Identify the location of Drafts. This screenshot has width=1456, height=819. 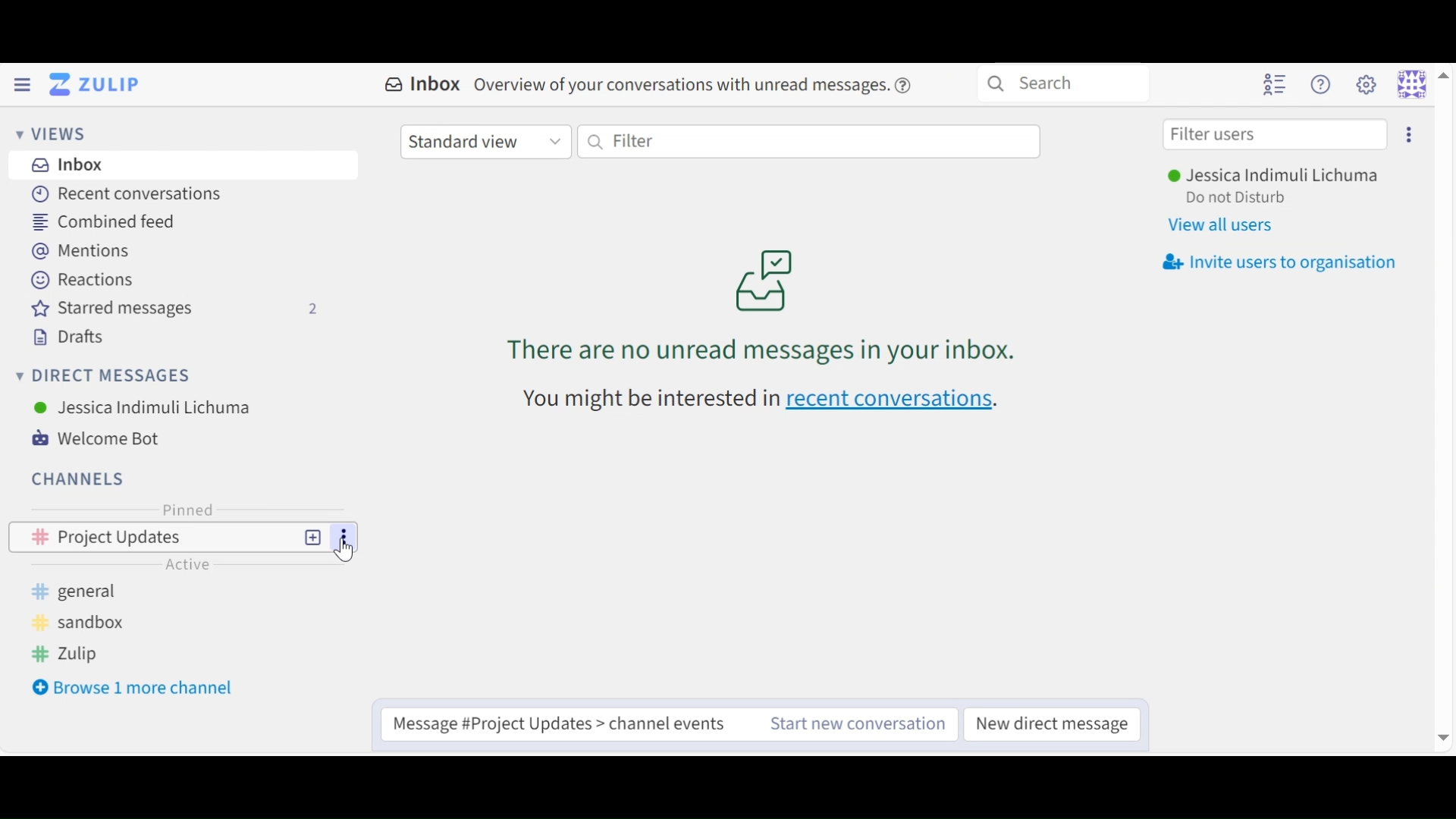
(71, 337).